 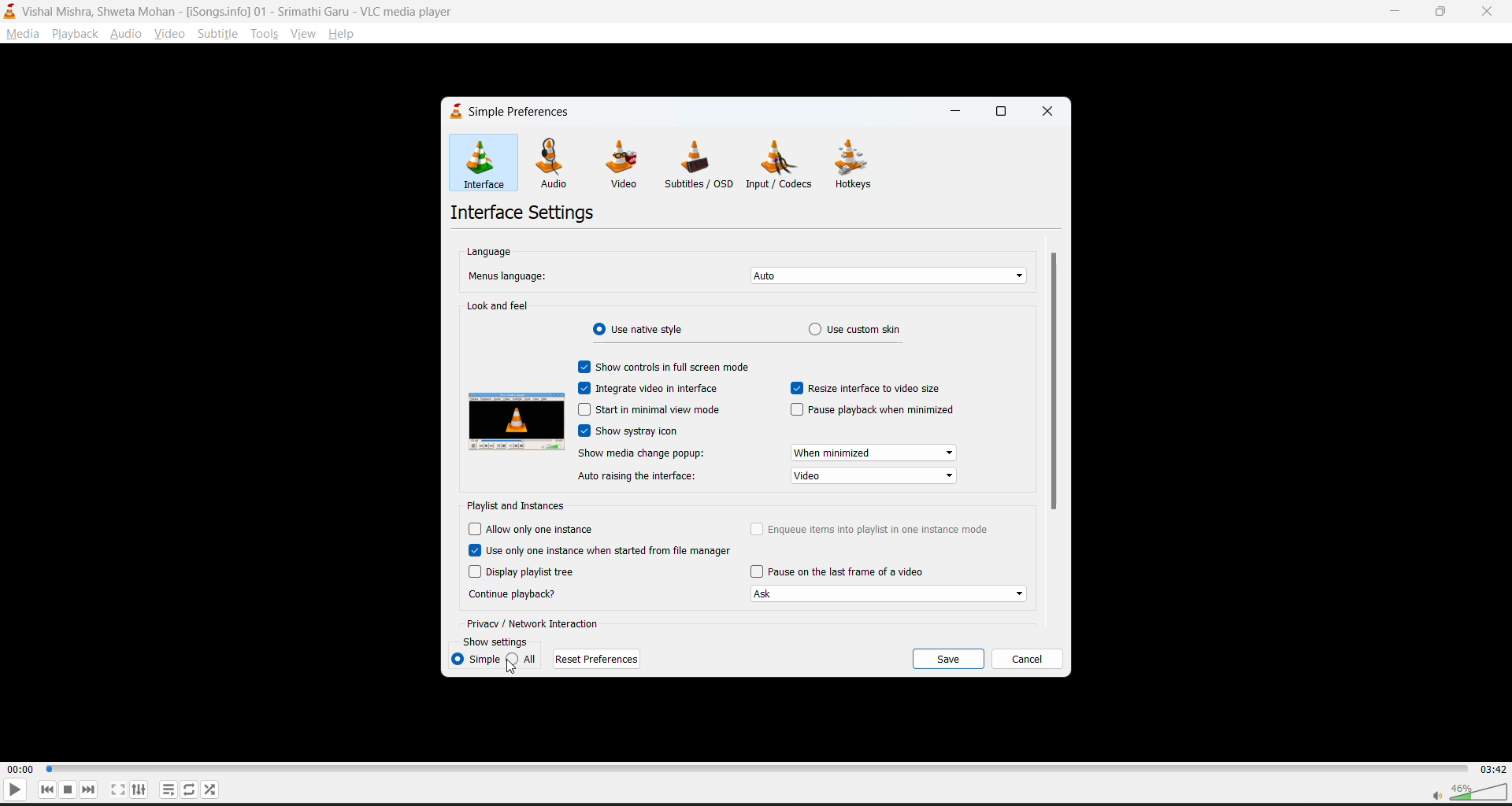 I want to click on display playlist tree, so click(x=522, y=574).